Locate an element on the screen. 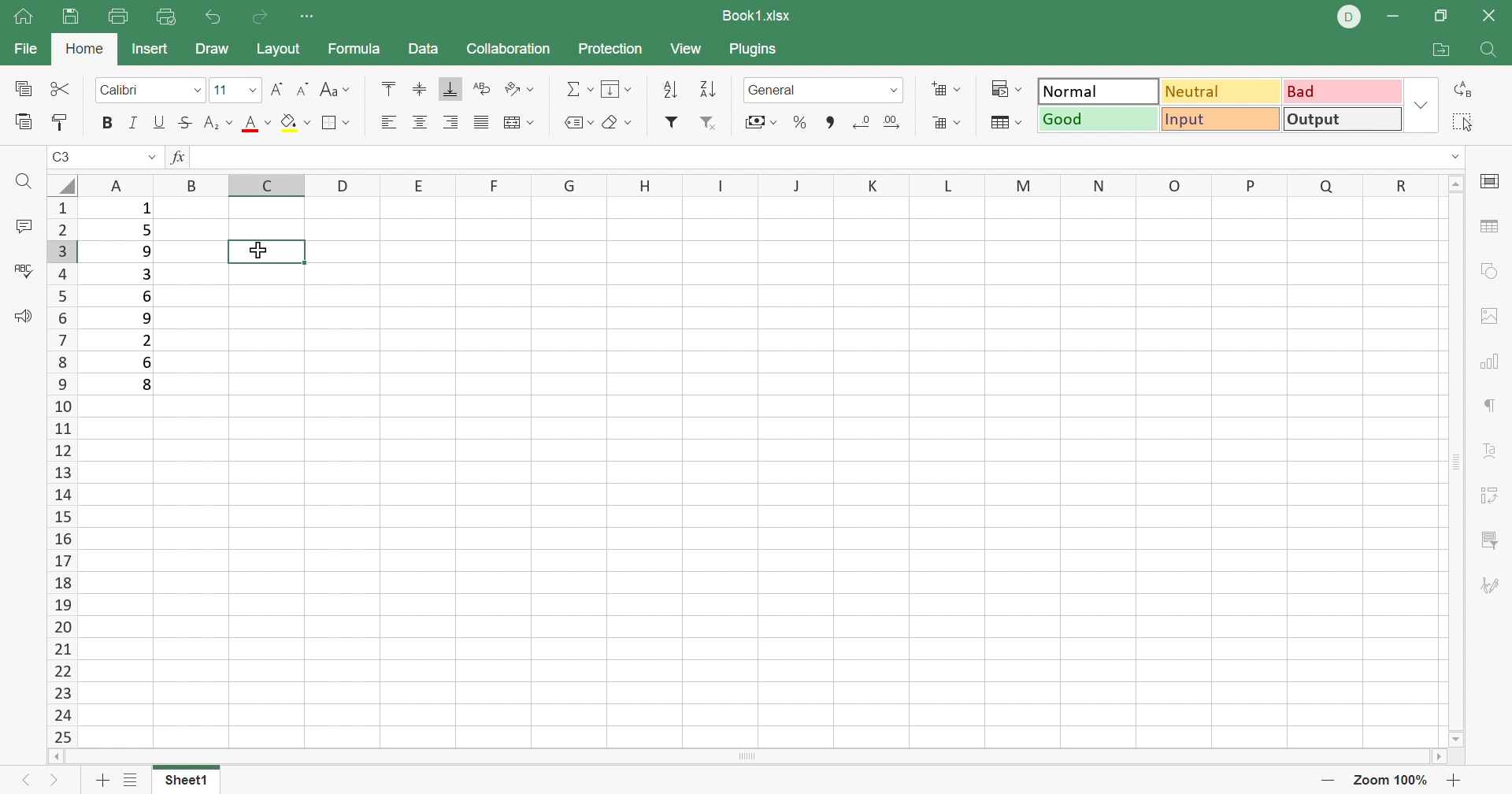 Image resolution: width=1512 pixels, height=794 pixels. Plugins is located at coordinates (755, 53).